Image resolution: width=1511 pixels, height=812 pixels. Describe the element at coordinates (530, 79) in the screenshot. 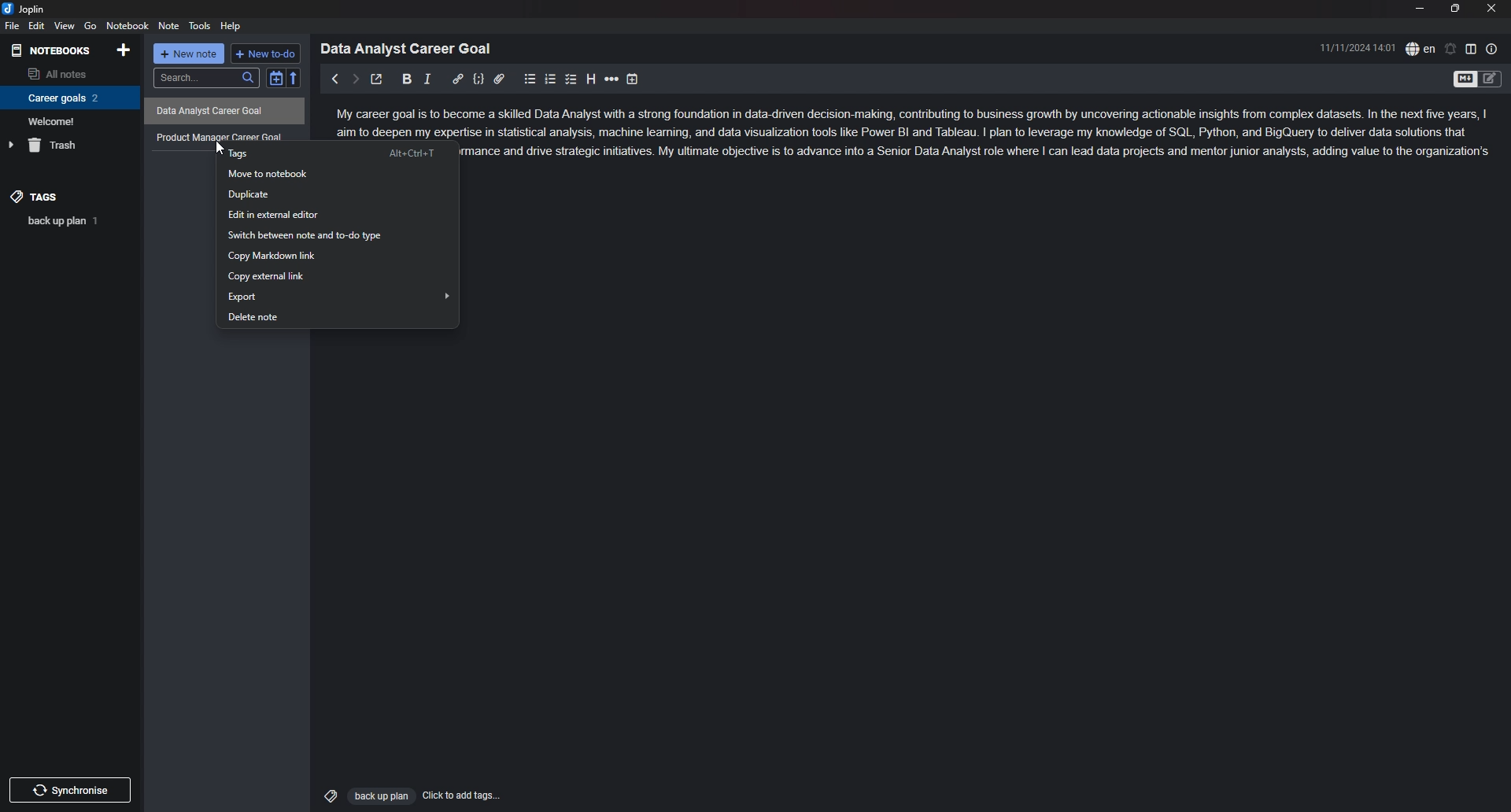

I see `bullet list` at that location.